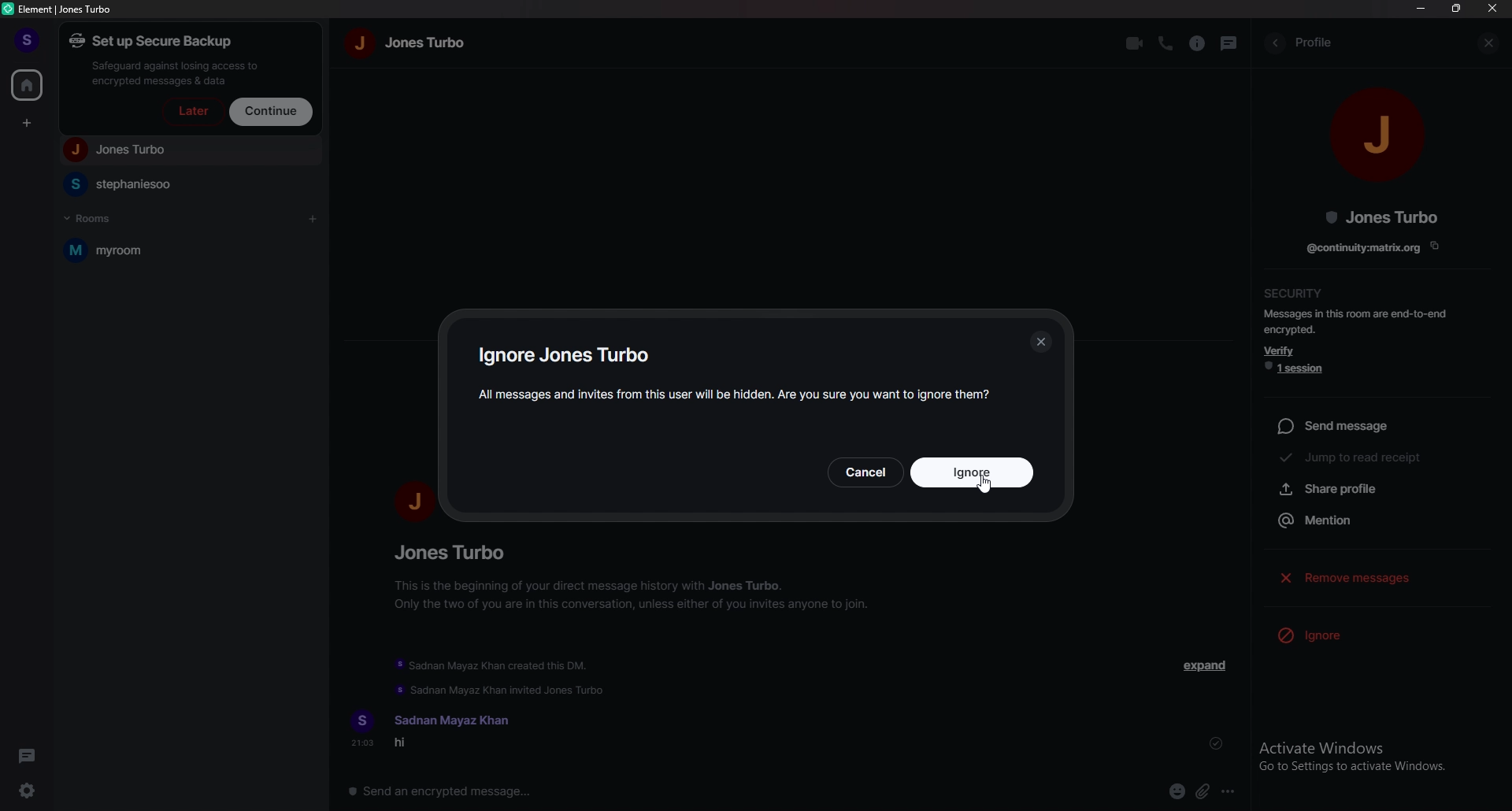  Describe the element at coordinates (1377, 634) in the screenshot. I see `ignore` at that location.